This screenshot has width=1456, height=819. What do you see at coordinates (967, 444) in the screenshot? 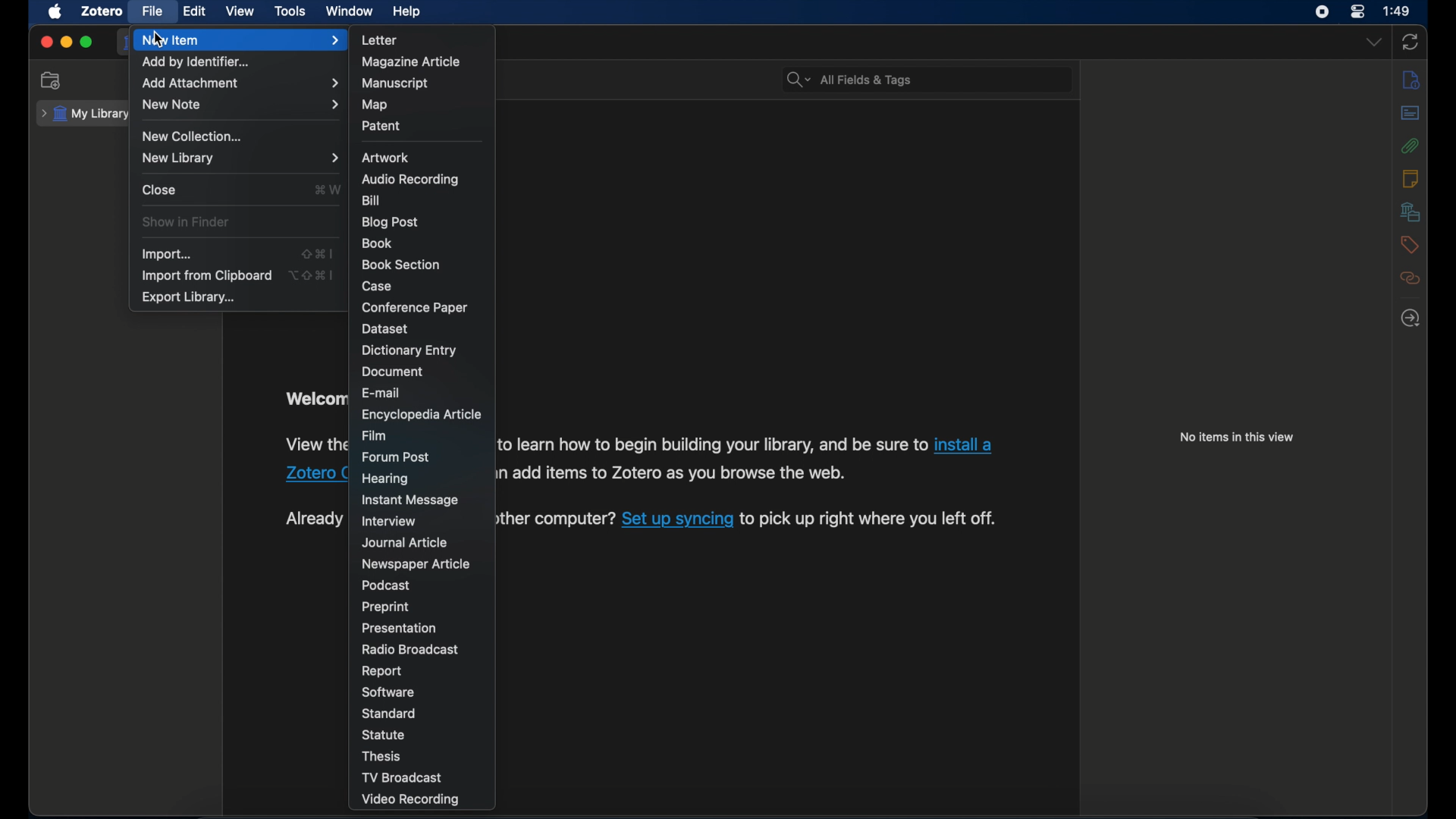
I see `install a` at bounding box center [967, 444].